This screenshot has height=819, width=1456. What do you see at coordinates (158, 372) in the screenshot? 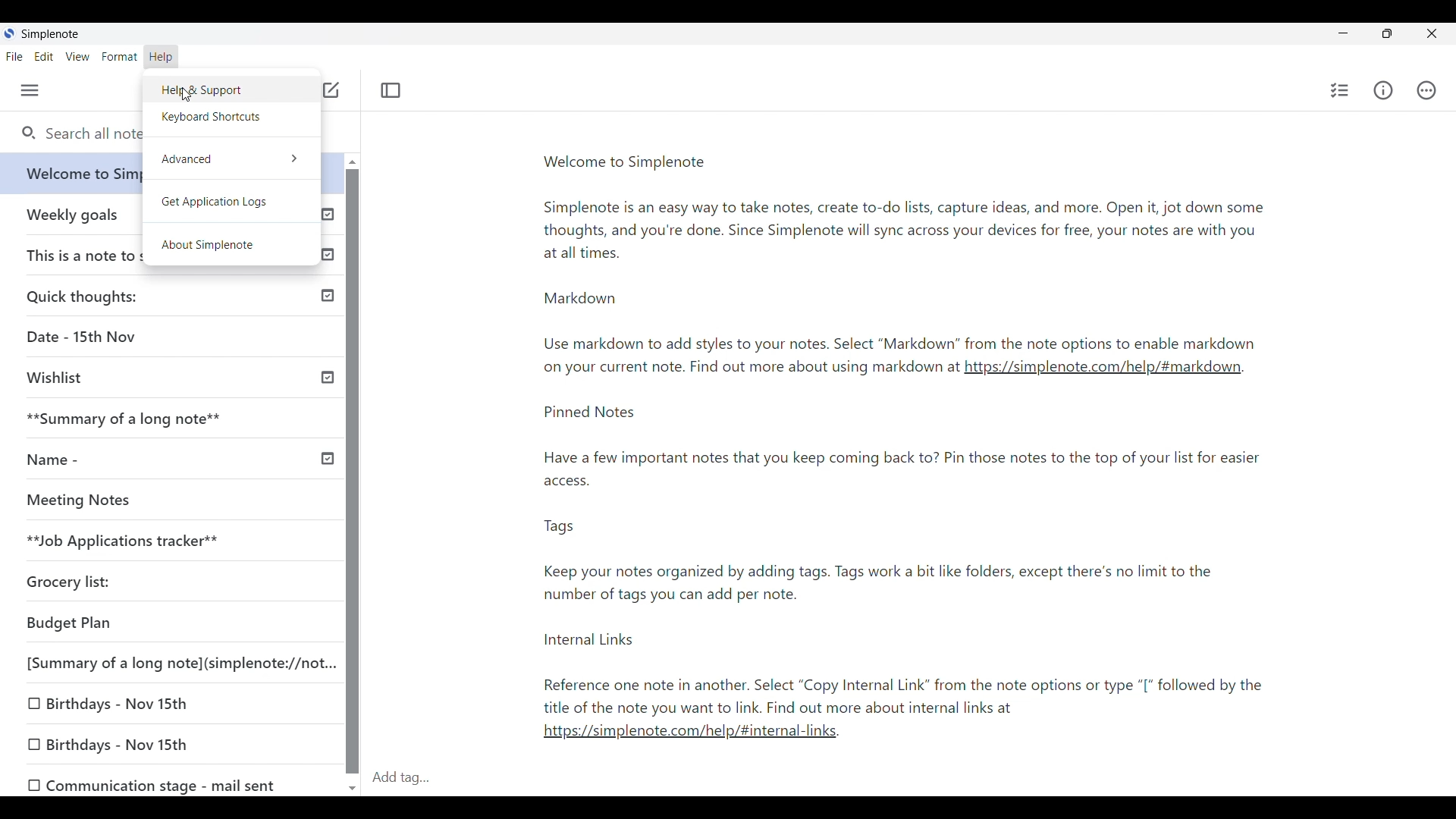
I see `Wishlist` at bounding box center [158, 372].